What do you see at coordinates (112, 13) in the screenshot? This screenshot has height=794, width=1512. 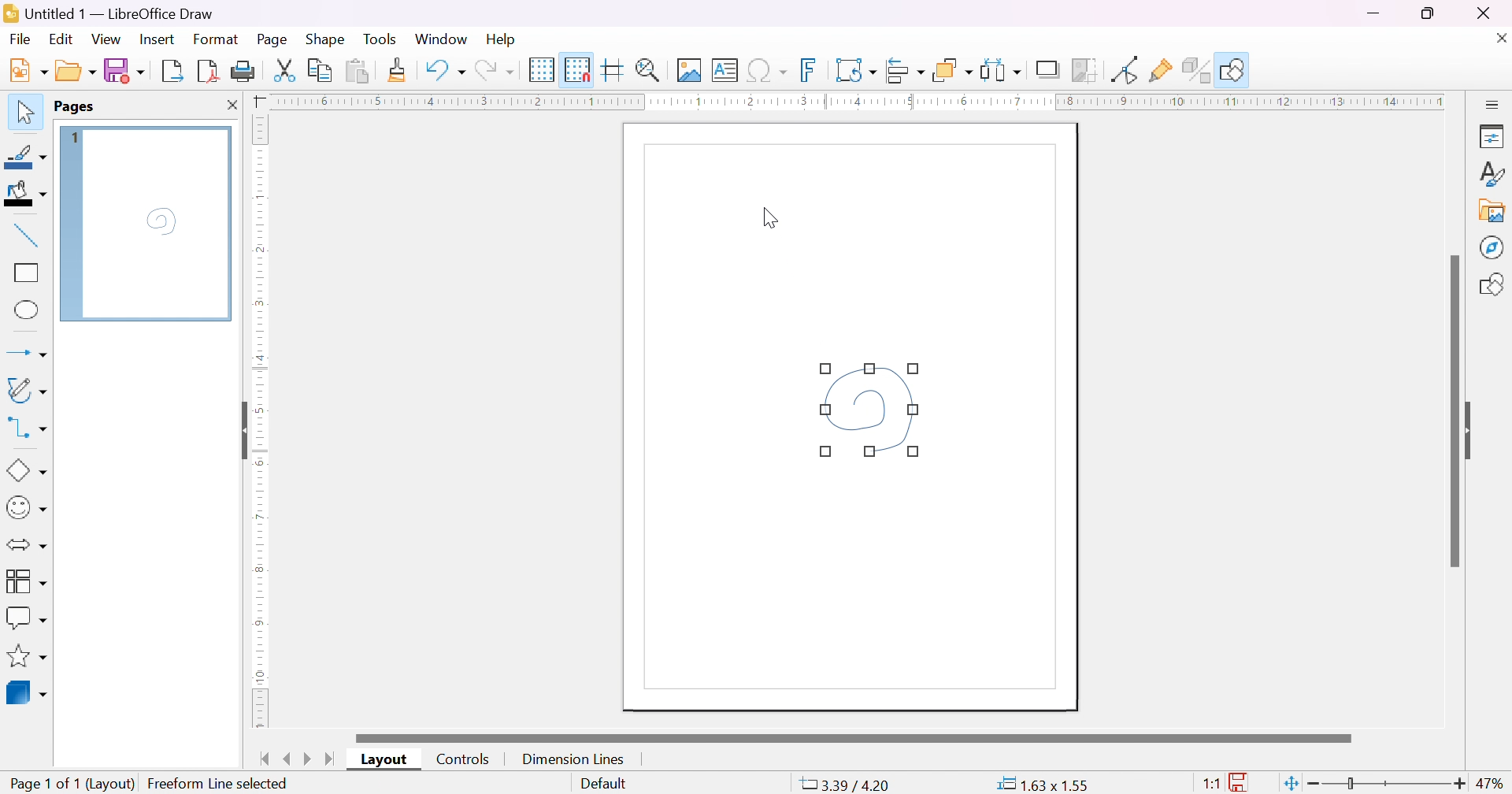 I see `application name` at bounding box center [112, 13].